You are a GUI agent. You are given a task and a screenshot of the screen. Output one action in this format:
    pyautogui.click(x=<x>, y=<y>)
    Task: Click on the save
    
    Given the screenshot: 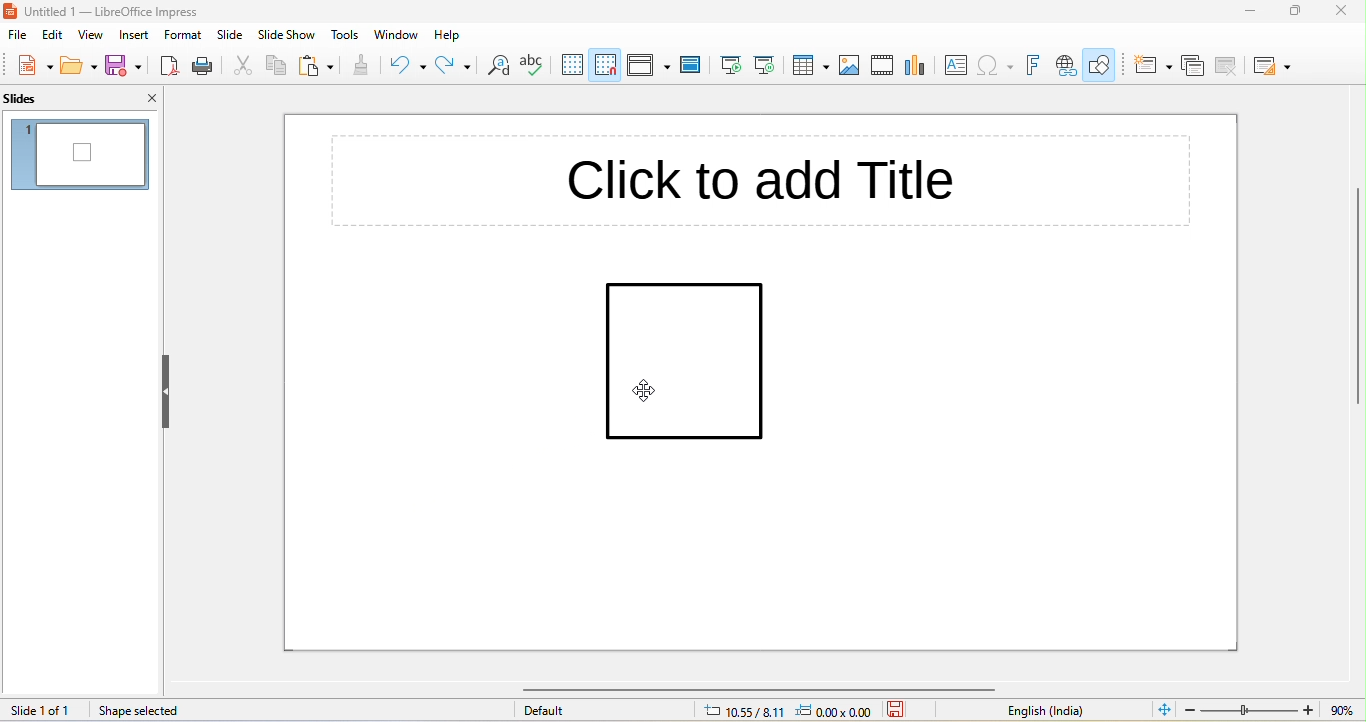 What is the action you would take?
    pyautogui.click(x=900, y=711)
    